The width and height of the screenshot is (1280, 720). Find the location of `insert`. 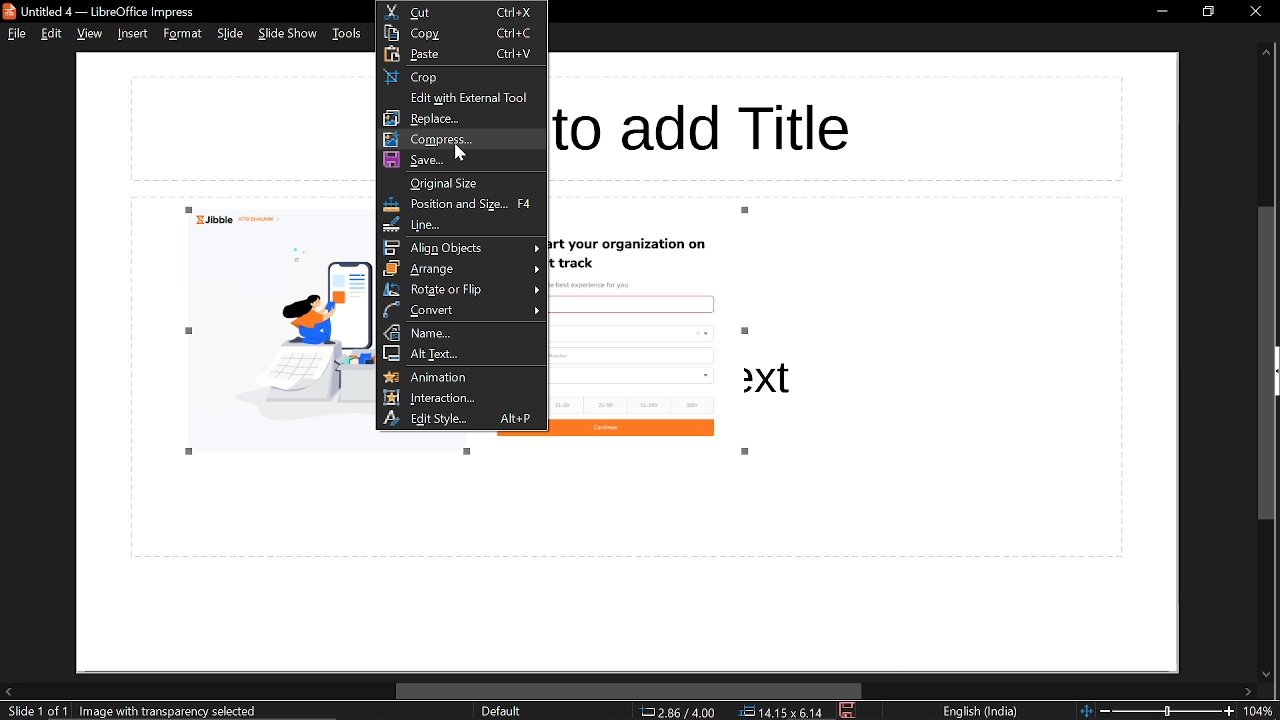

insert is located at coordinates (130, 33).